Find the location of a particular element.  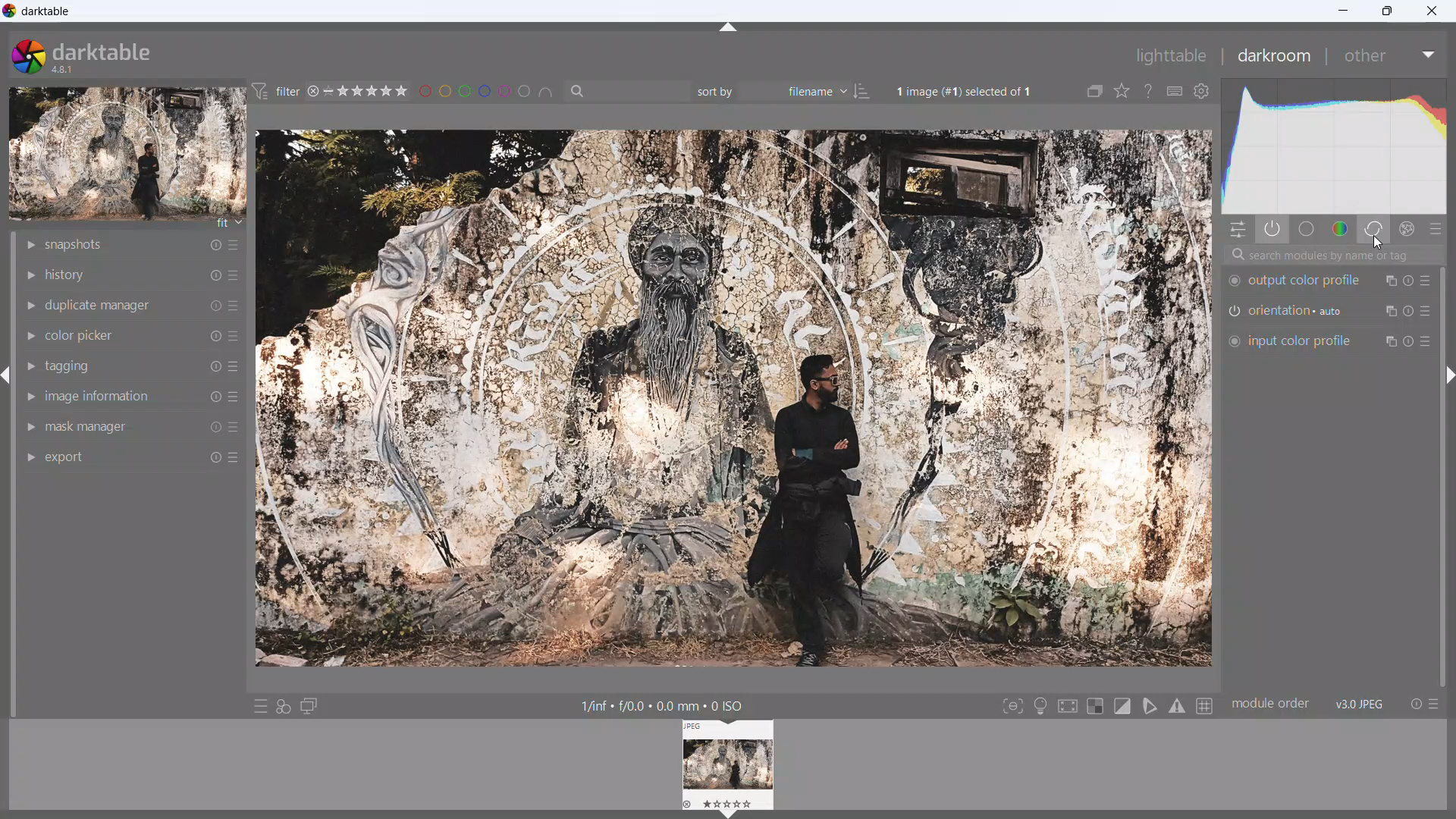

reset is located at coordinates (210, 336).